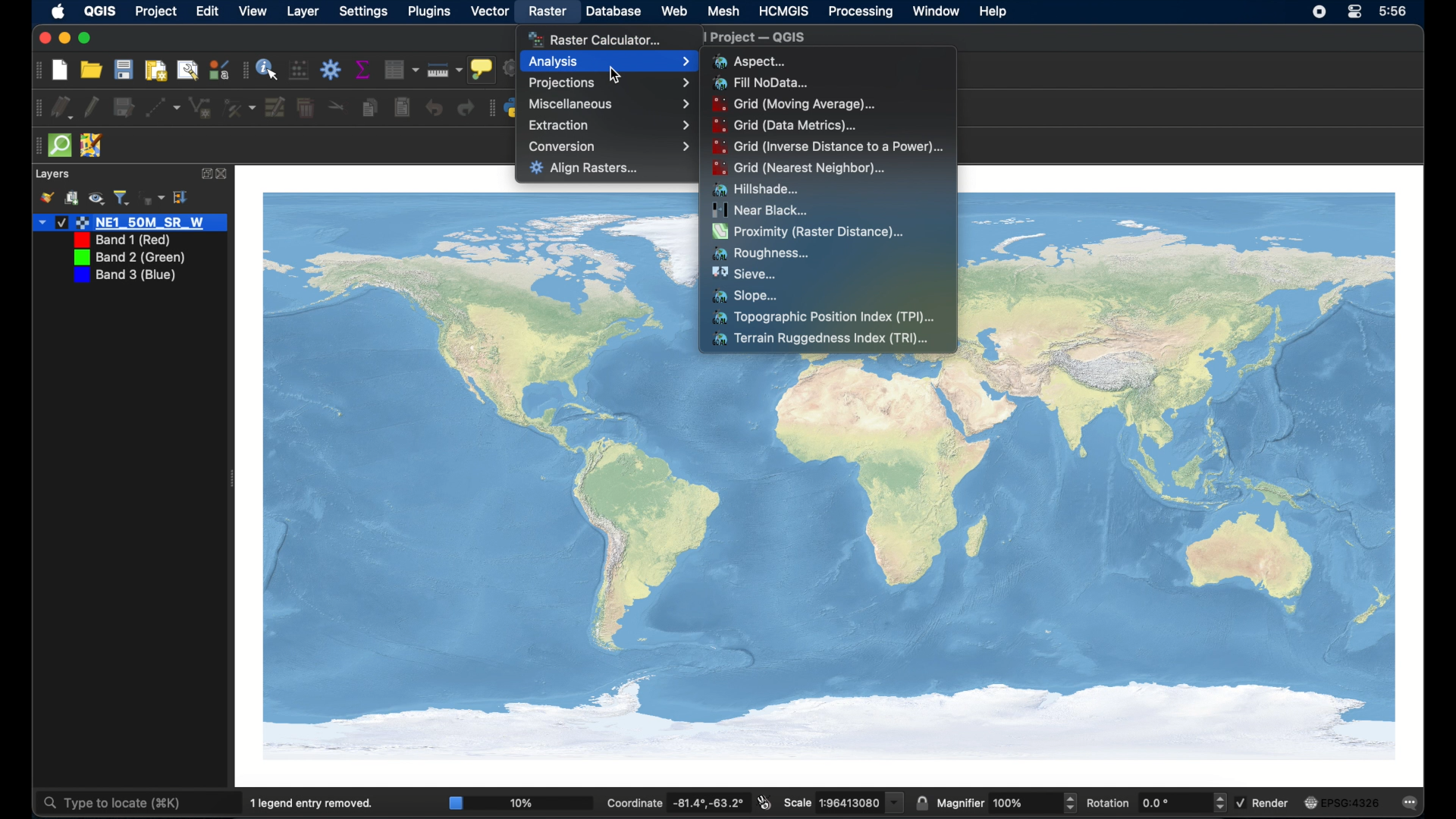 The width and height of the screenshot is (1456, 819). What do you see at coordinates (748, 61) in the screenshot?
I see `aspect` at bounding box center [748, 61].